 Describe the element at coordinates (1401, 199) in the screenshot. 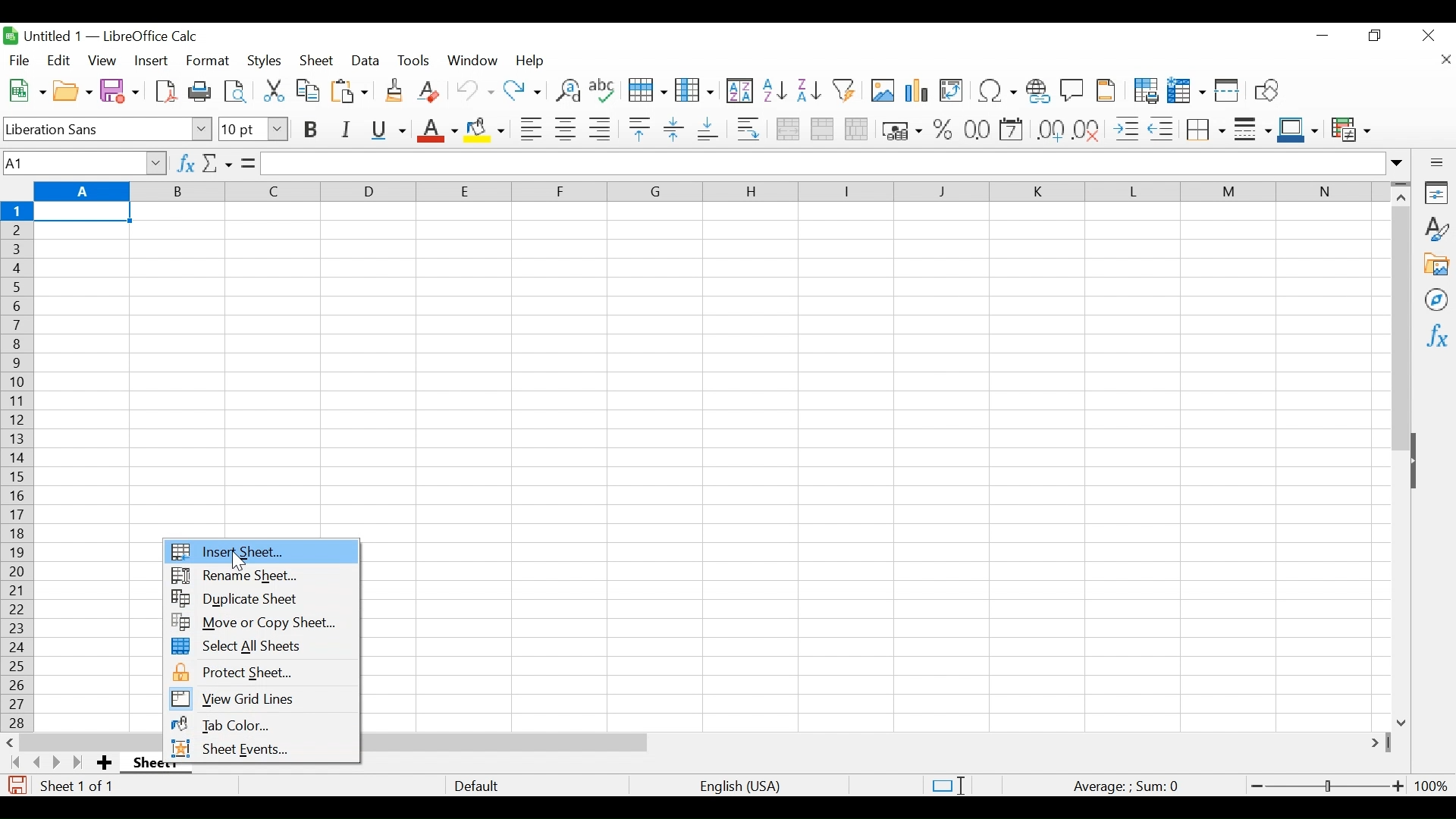

I see `Scroll up` at that location.